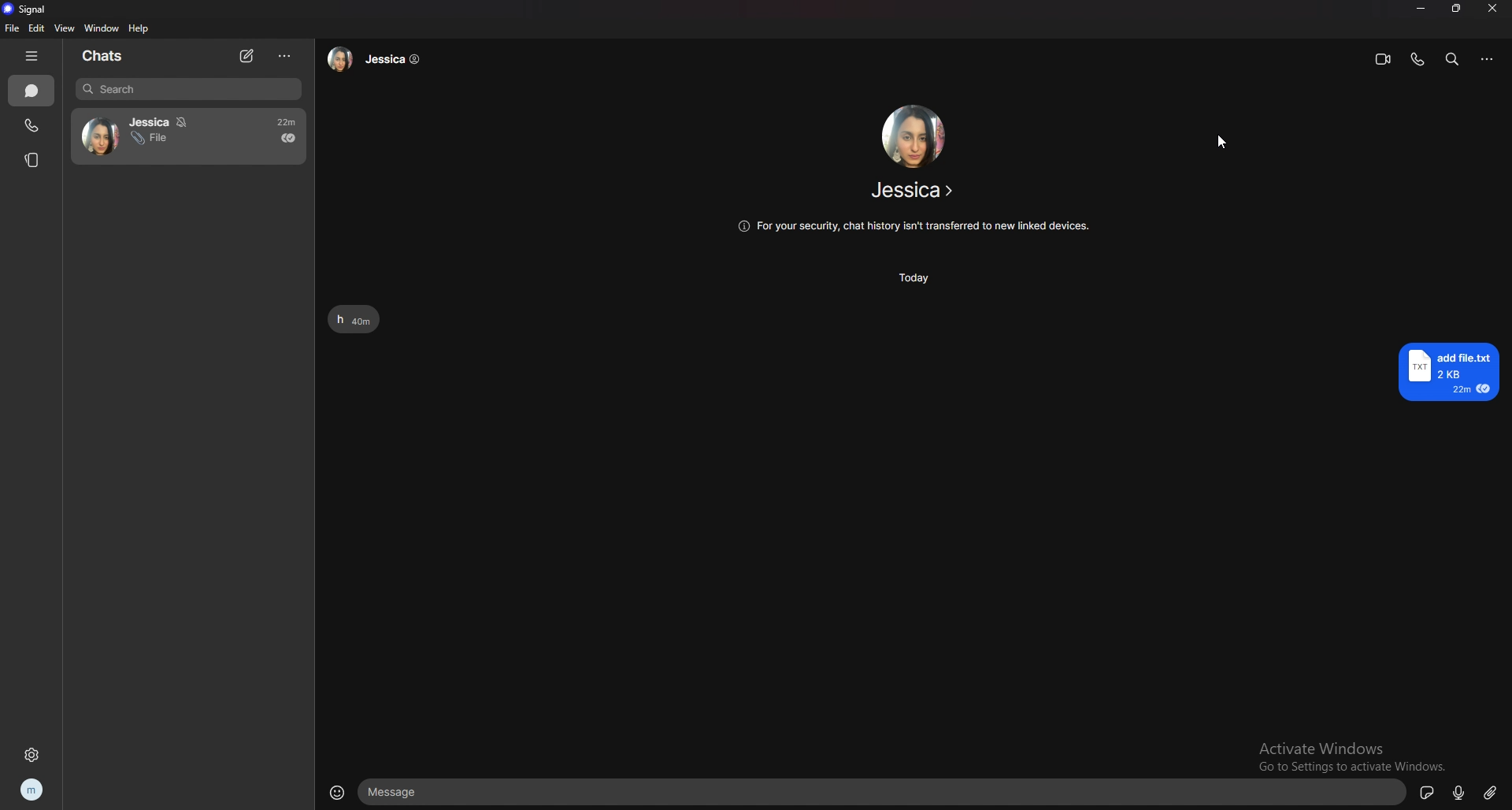  What do you see at coordinates (917, 192) in the screenshot?
I see `Jessica >` at bounding box center [917, 192].